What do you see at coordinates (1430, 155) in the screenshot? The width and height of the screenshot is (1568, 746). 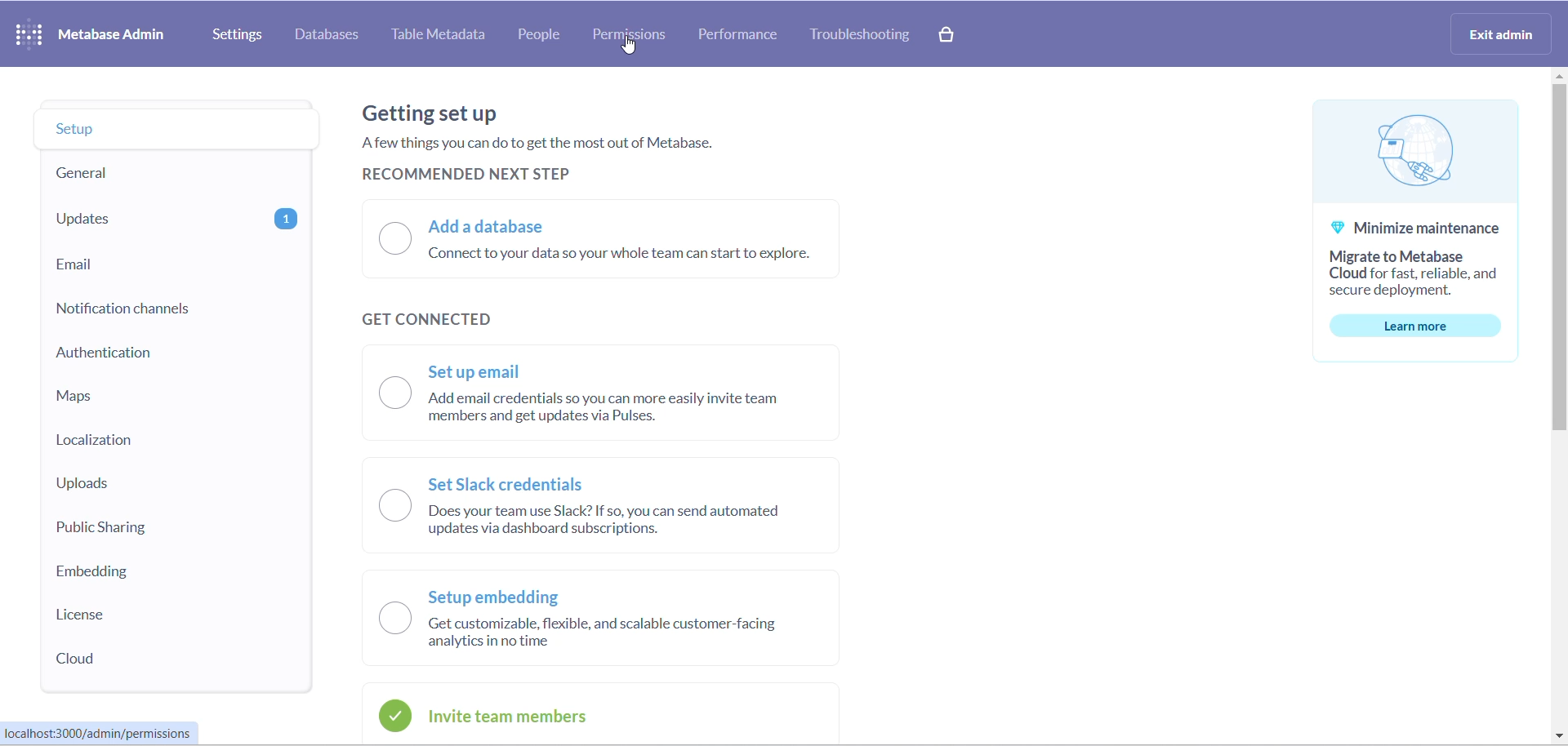 I see `logo` at bounding box center [1430, 155].